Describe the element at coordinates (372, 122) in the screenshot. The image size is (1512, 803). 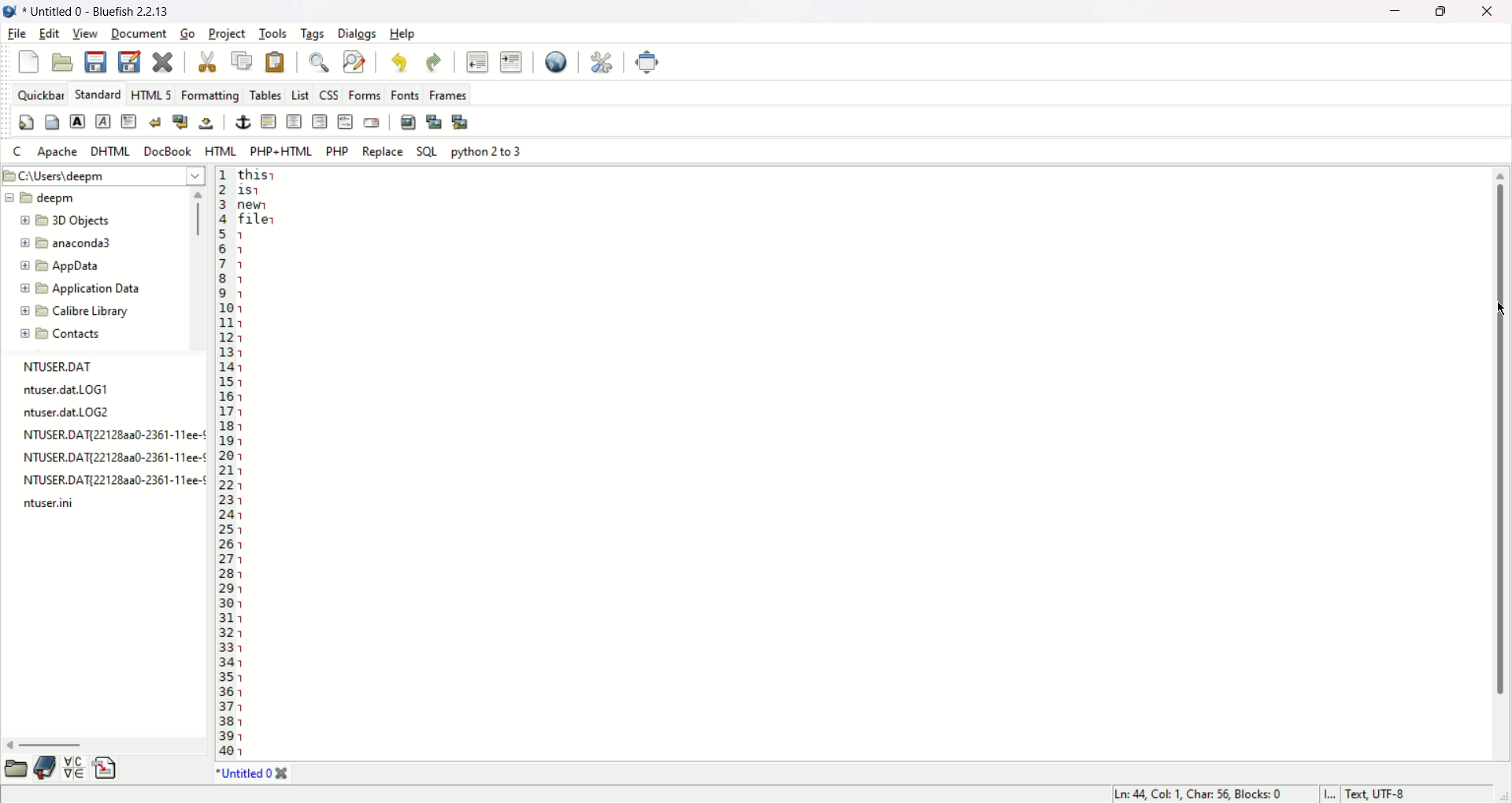
I see `email` at that location.